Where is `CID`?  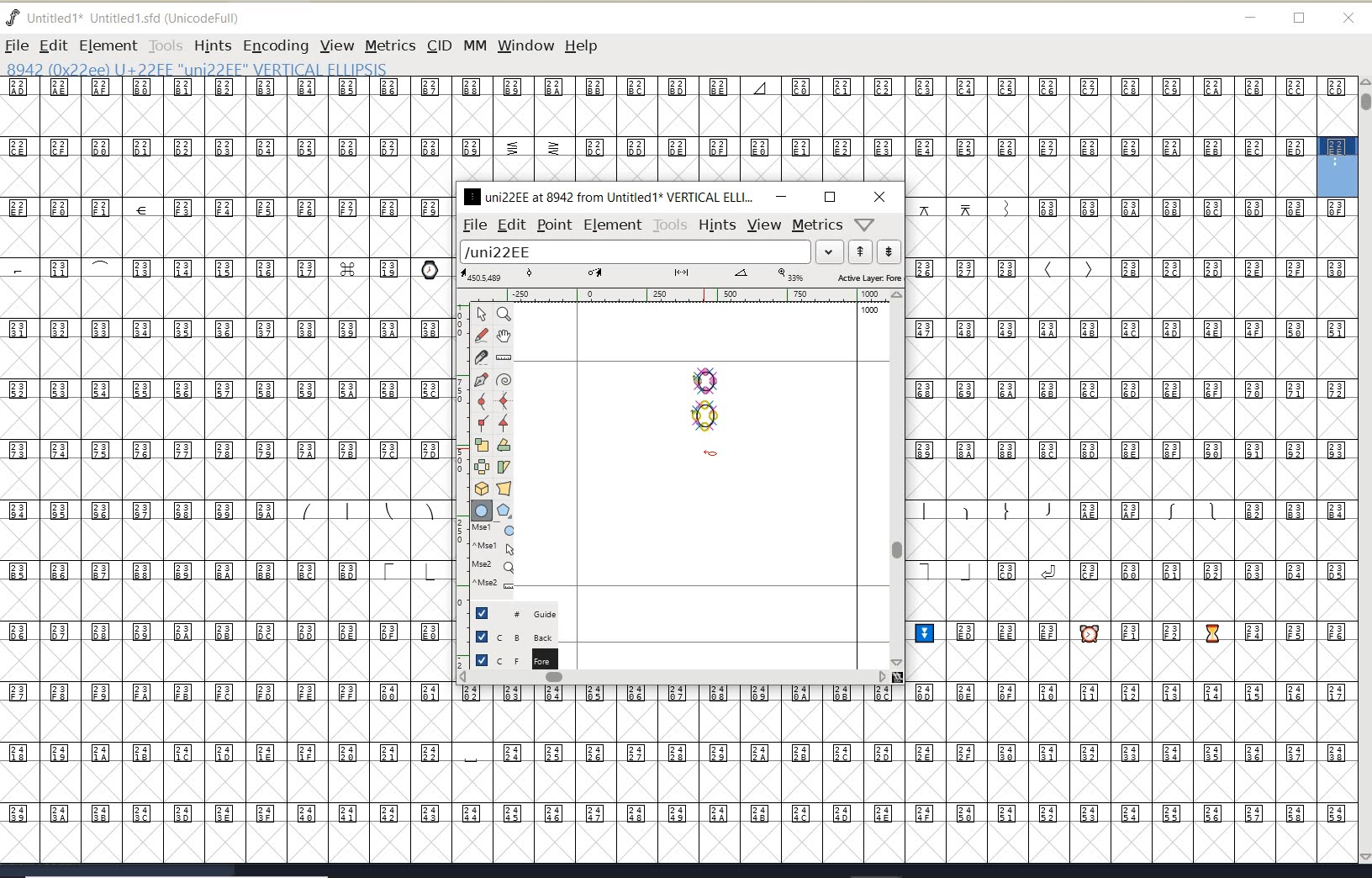 CID is located at coordinates (438, 45).